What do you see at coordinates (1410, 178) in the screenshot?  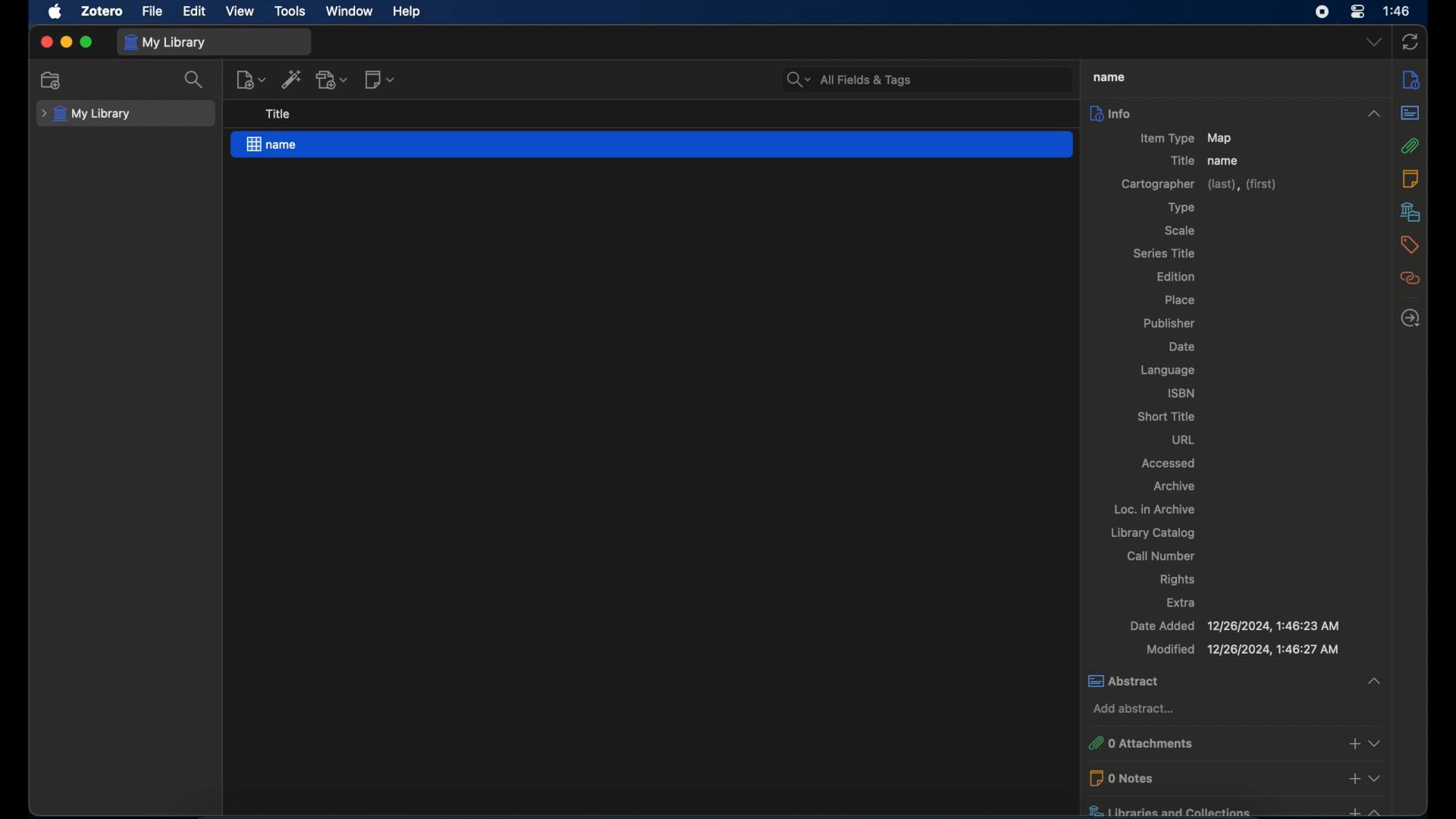 I see `notes` at bounding box center [1410, 178].